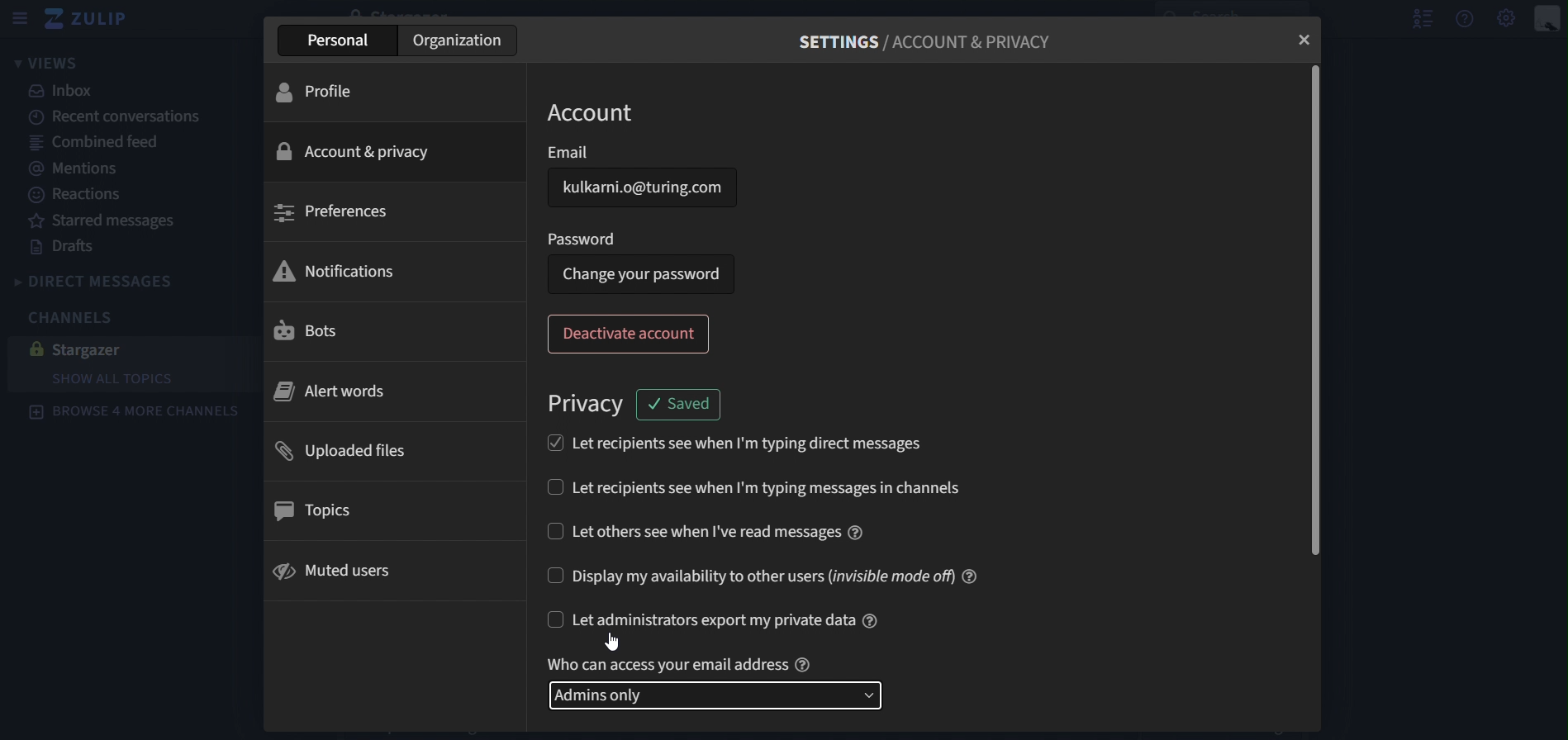 The height and width of the screenshot is (740, 1568). I want to click on starred messages, so click(111, 221).